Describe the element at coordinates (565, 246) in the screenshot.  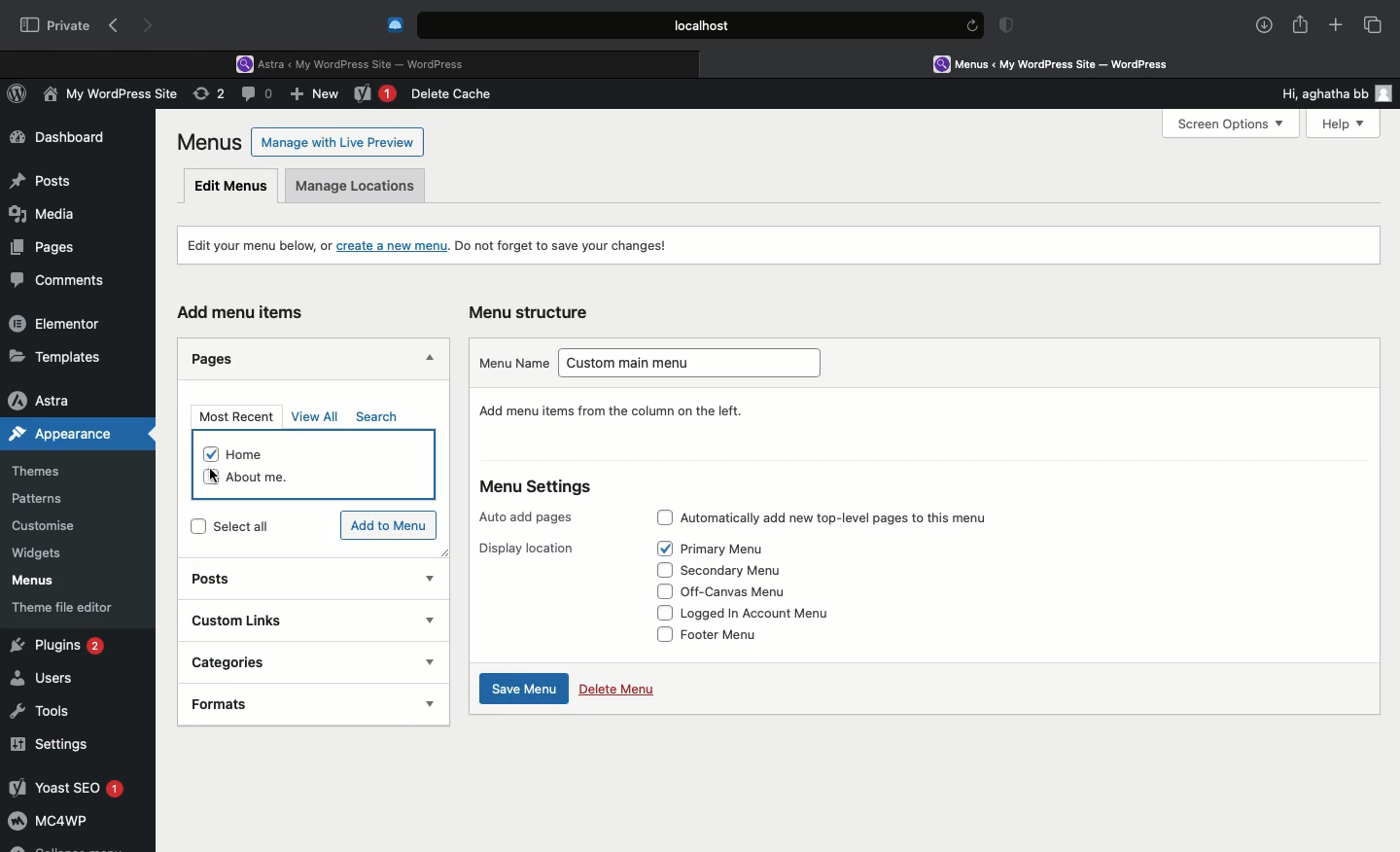
I see `Do not forget to save your changes!` at that location.